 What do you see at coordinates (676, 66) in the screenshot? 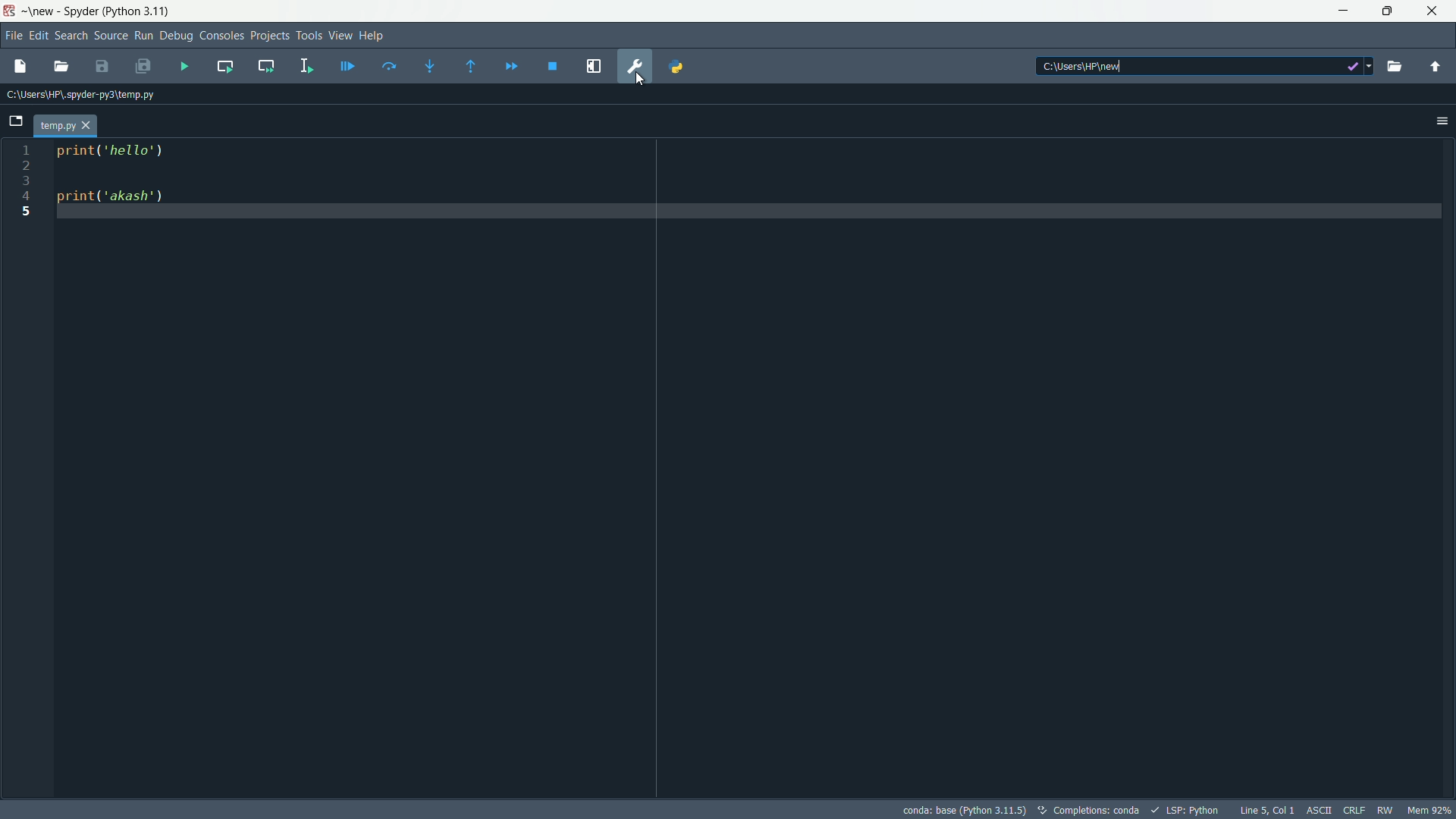
I see `python path manager` at bounding box center [676, 66].